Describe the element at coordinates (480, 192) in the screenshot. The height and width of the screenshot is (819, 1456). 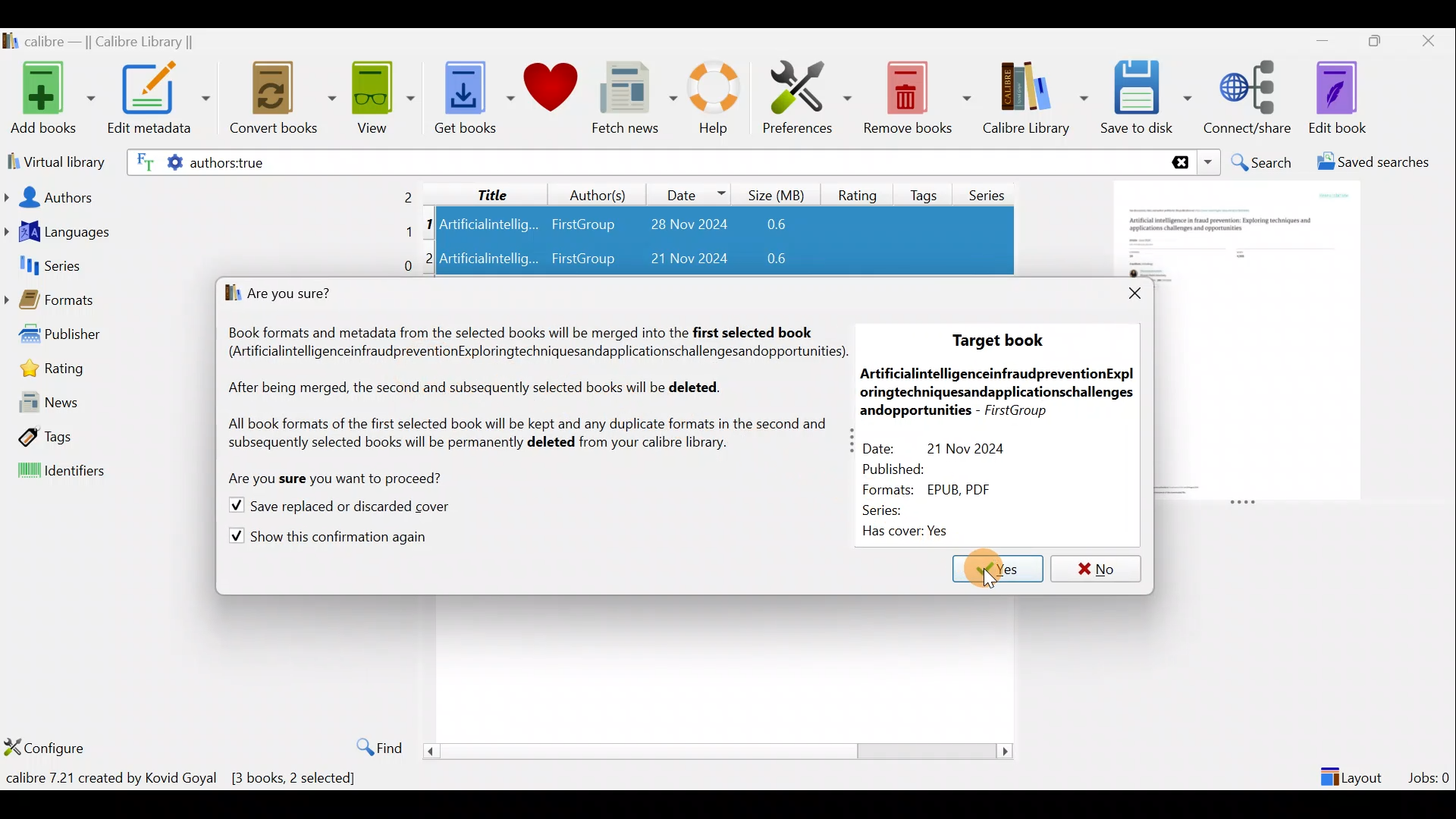
I see `Title` at that location.